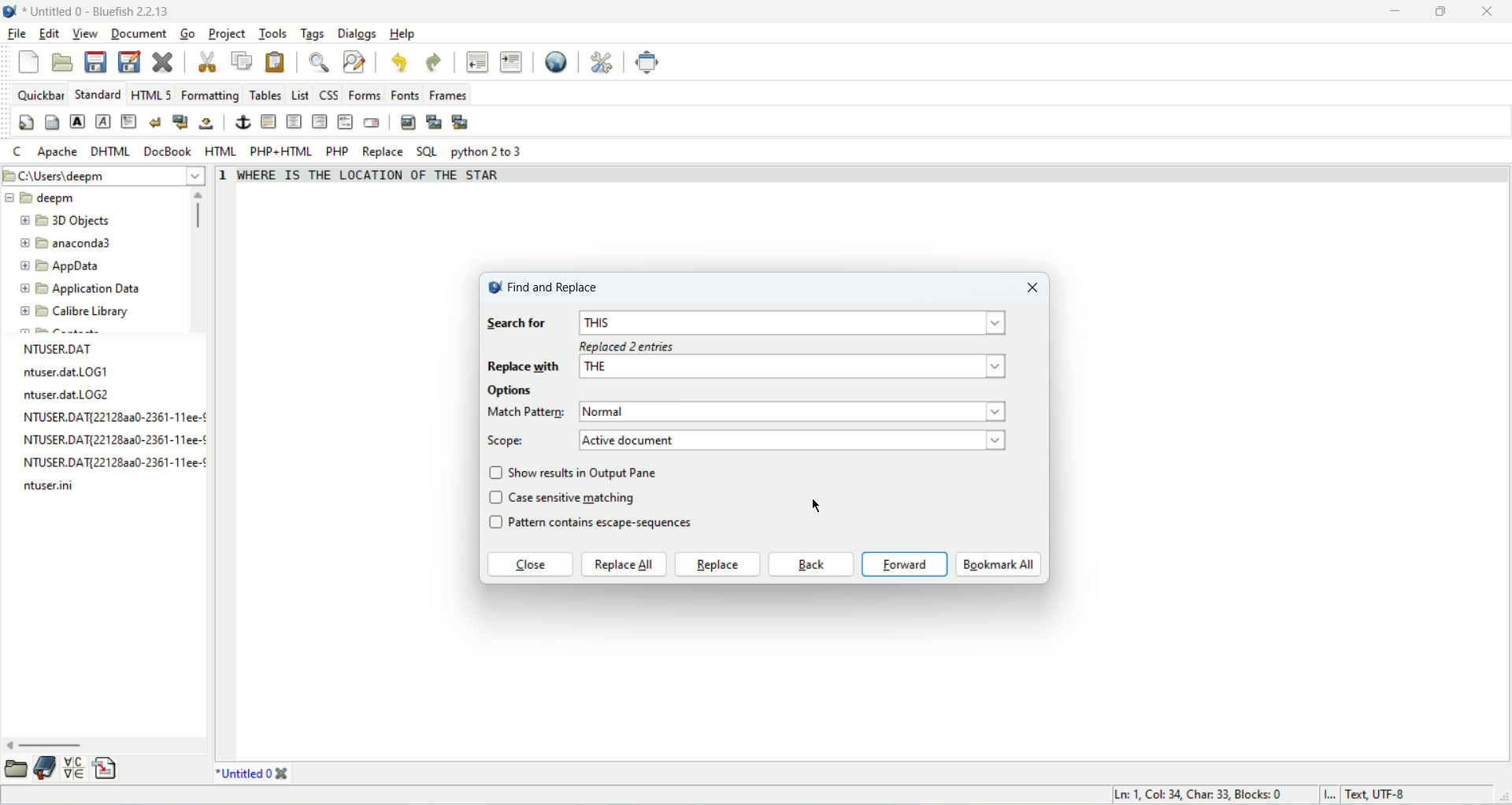 The image size is (1512, 805). I want to click on unindent, so click(476, 61).